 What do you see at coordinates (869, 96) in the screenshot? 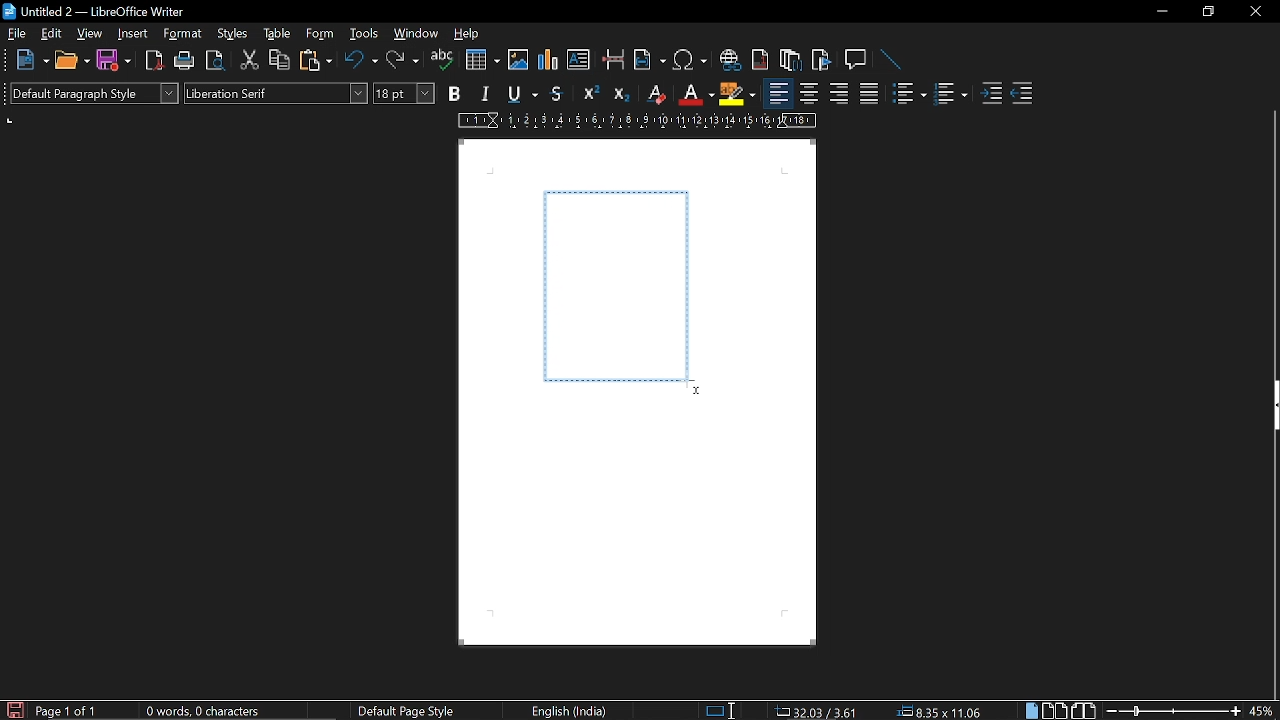
I see `justified` at bounding box center [869, 96].